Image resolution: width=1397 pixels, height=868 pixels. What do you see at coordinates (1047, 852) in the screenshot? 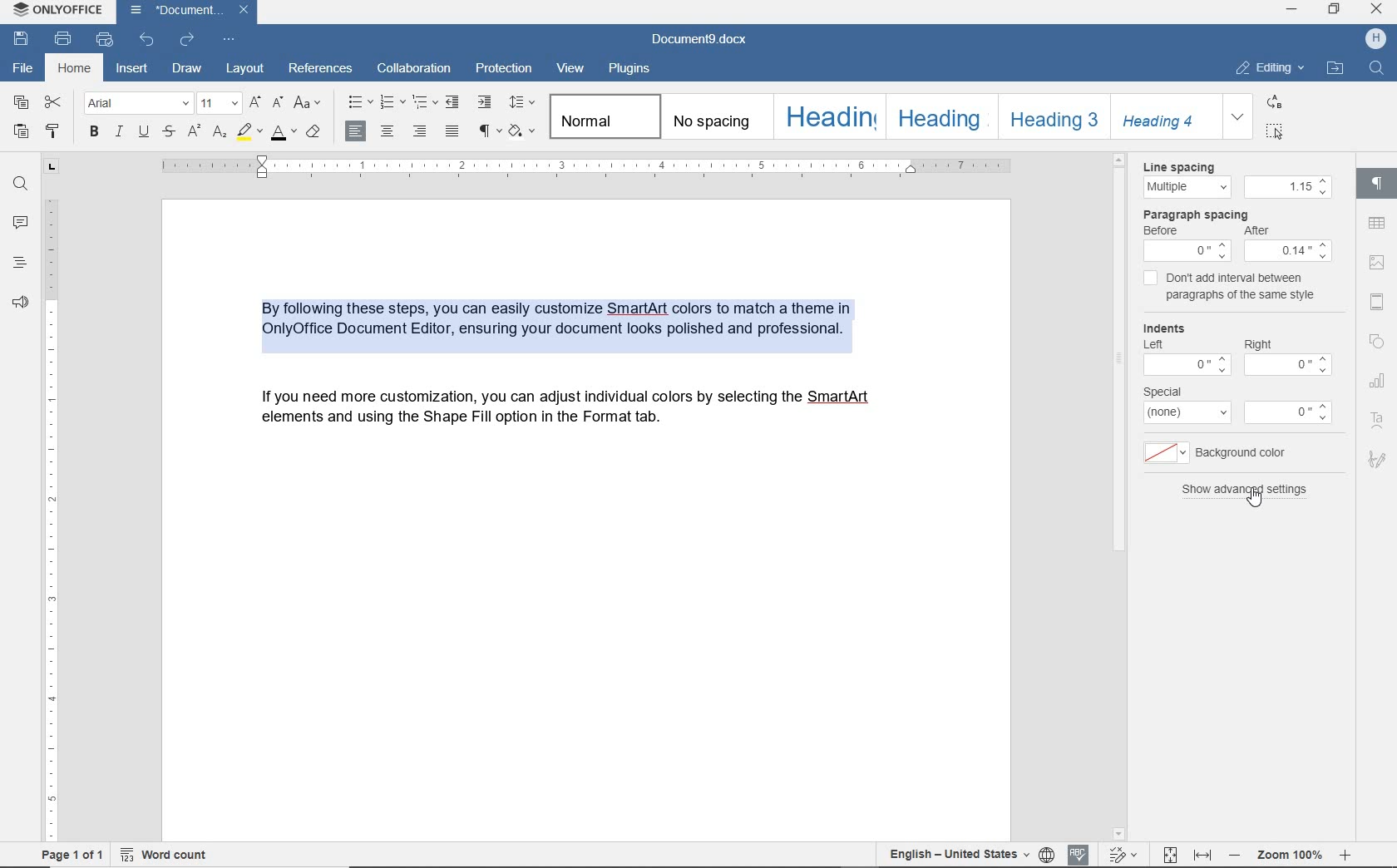
I see `set document language` at bounding box center [1047, 852].